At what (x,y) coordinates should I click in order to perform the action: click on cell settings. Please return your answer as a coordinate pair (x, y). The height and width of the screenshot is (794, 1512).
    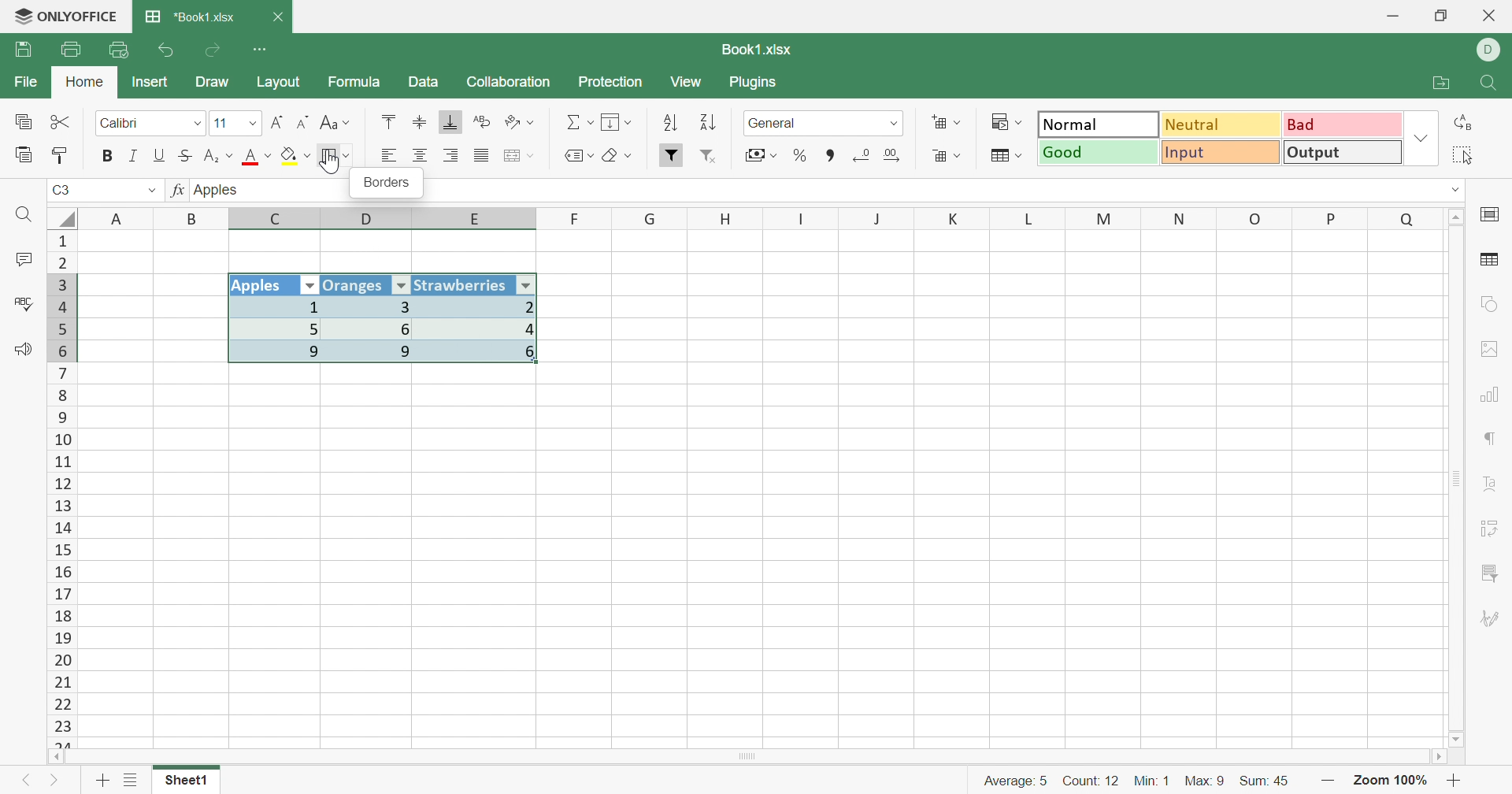
    Looking at the image, I should click on (1493, 216).